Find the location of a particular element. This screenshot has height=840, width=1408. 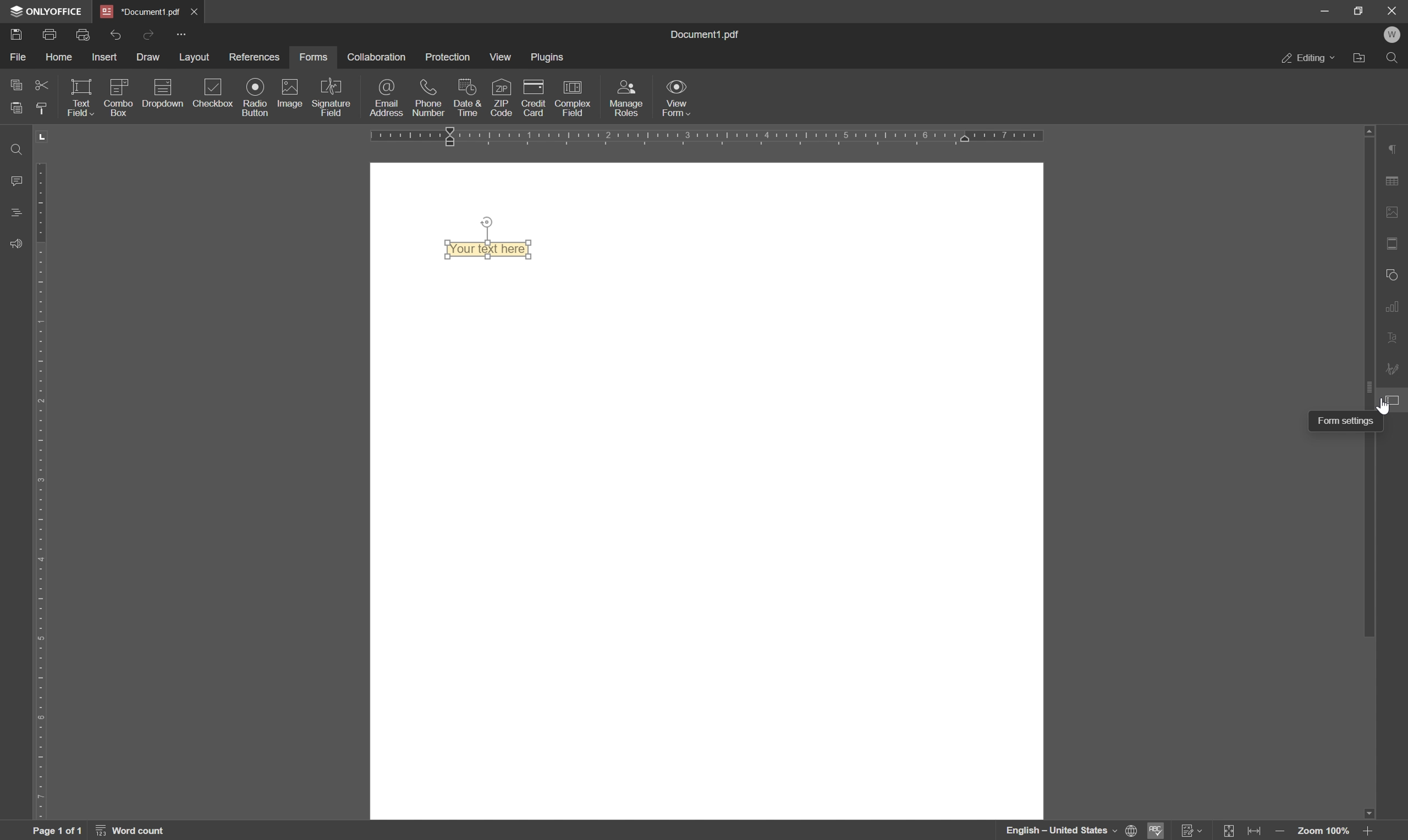

*Document1.pdf is located at coordinates (141, 11).